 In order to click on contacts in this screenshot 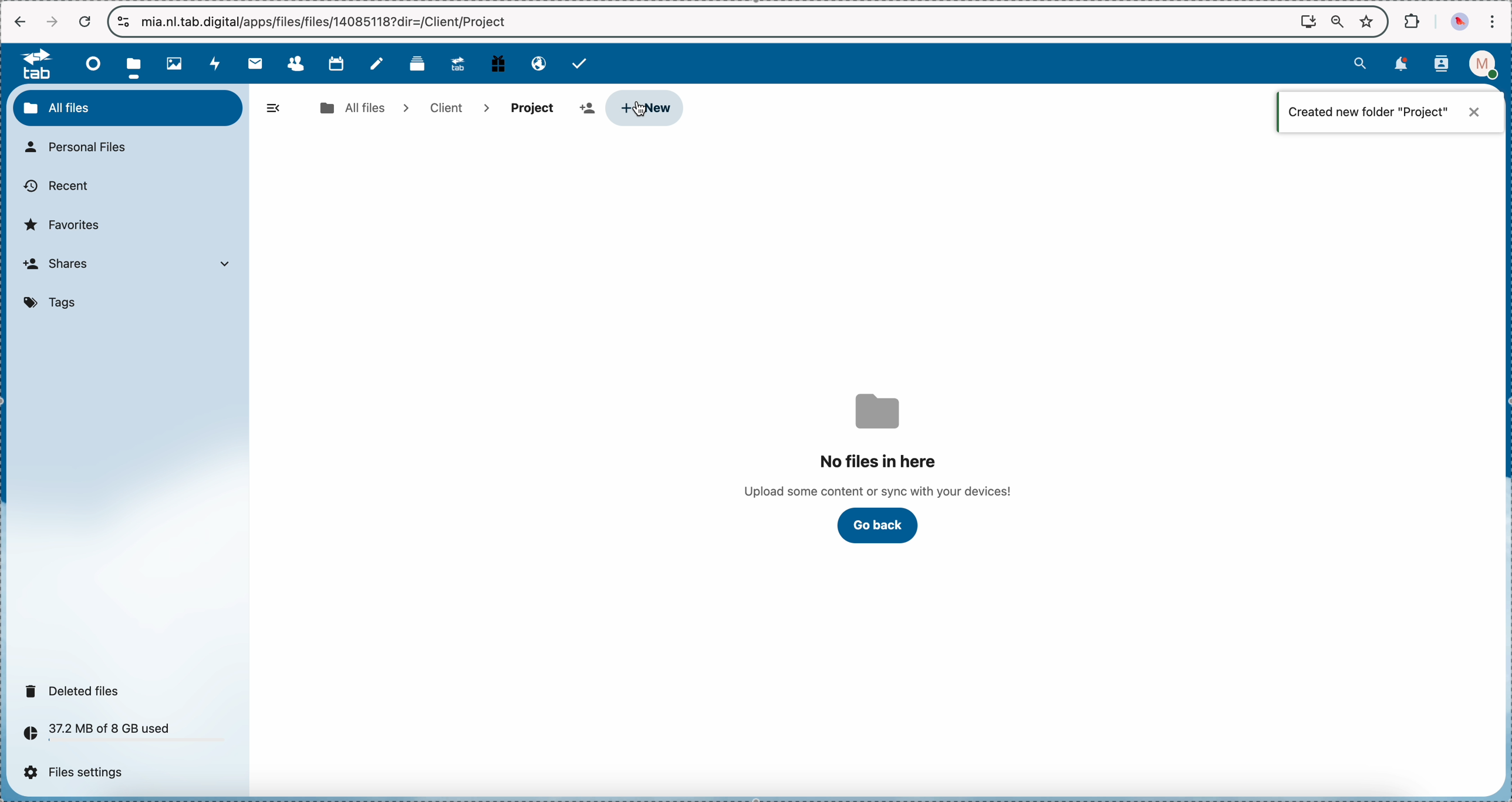, I will do `click(1442, 65)`.